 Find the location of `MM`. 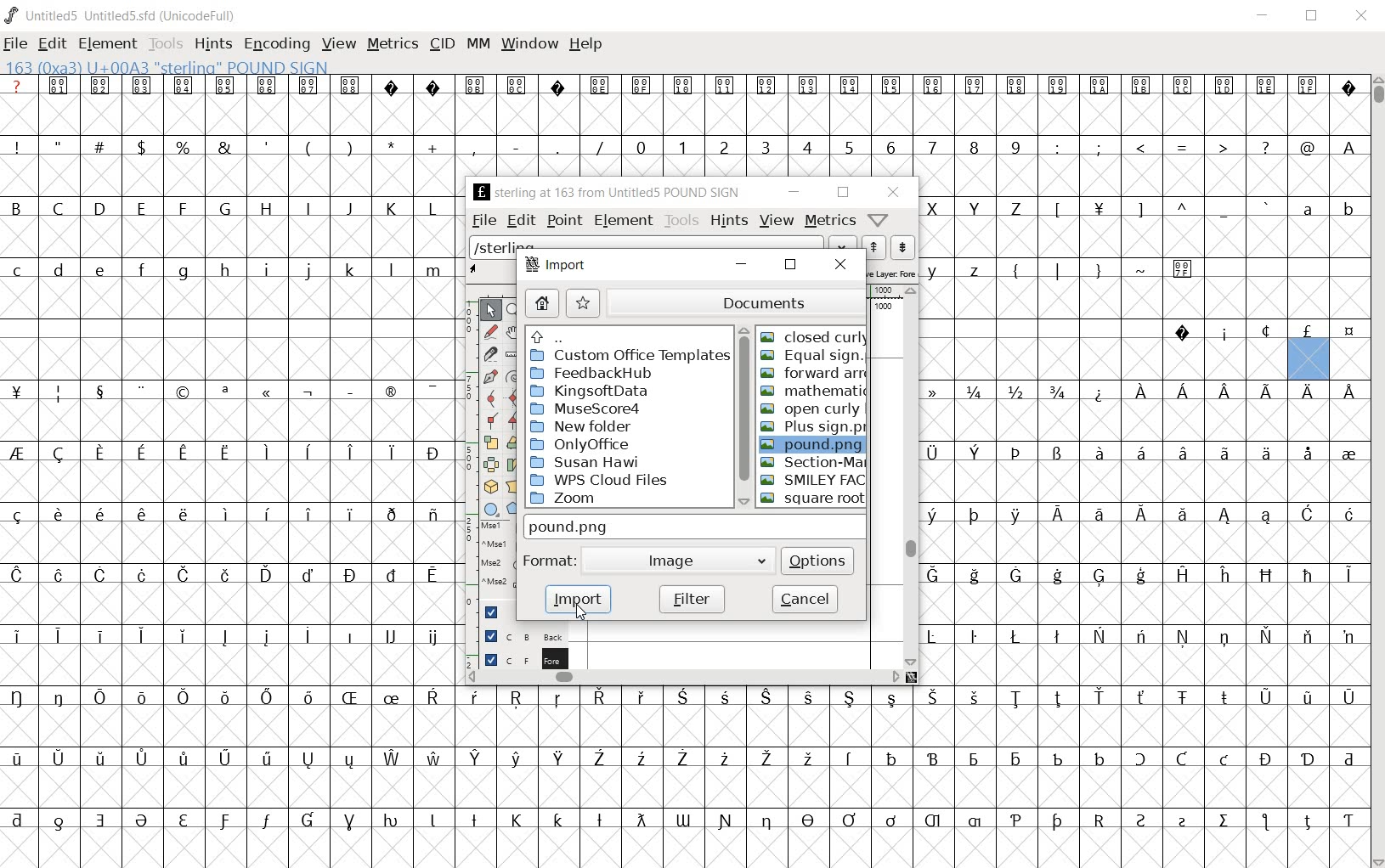

MM is located at coordinates (479, 45).